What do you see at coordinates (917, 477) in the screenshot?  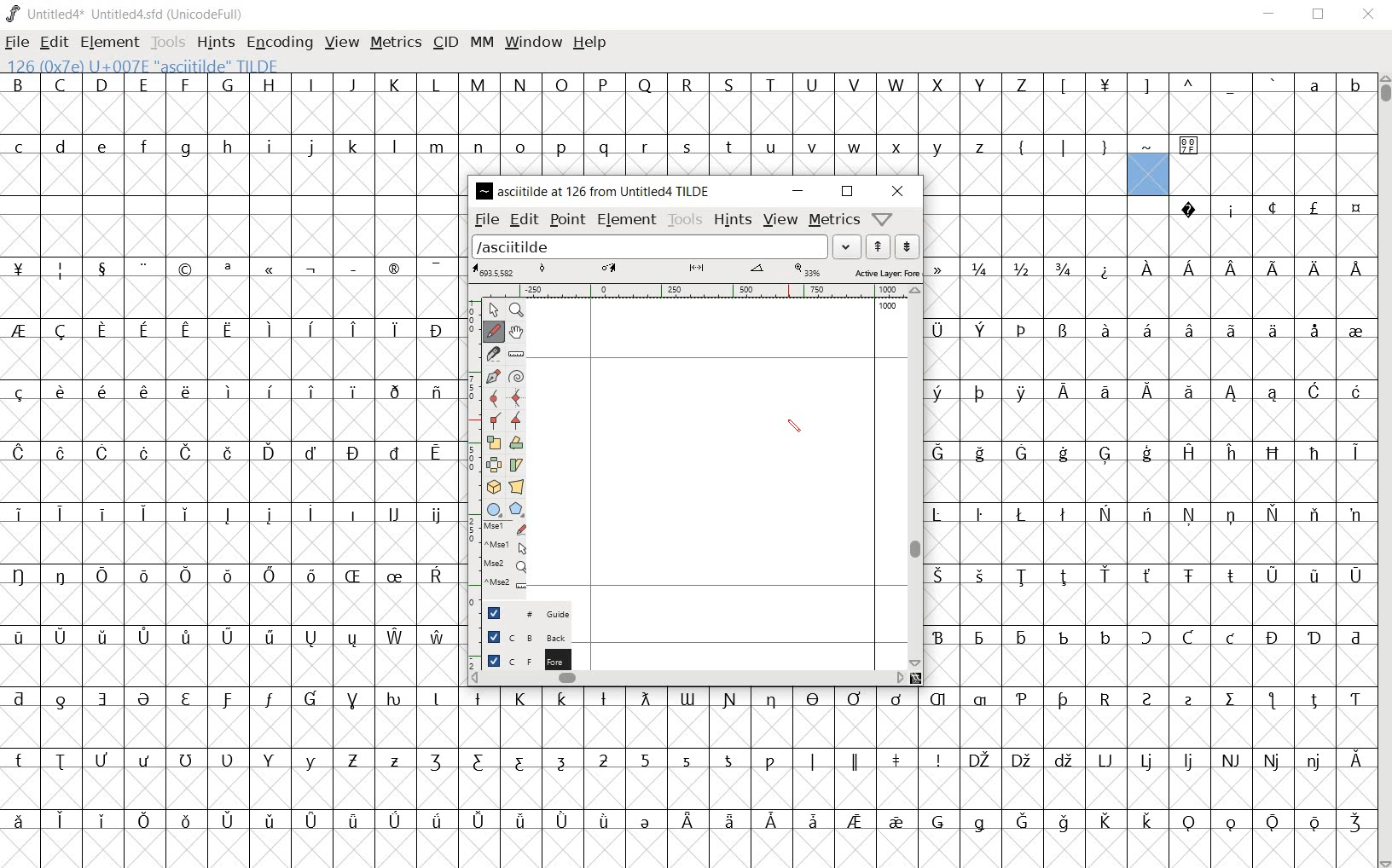 I see `scrollbar` at bounding box center [917, 477].